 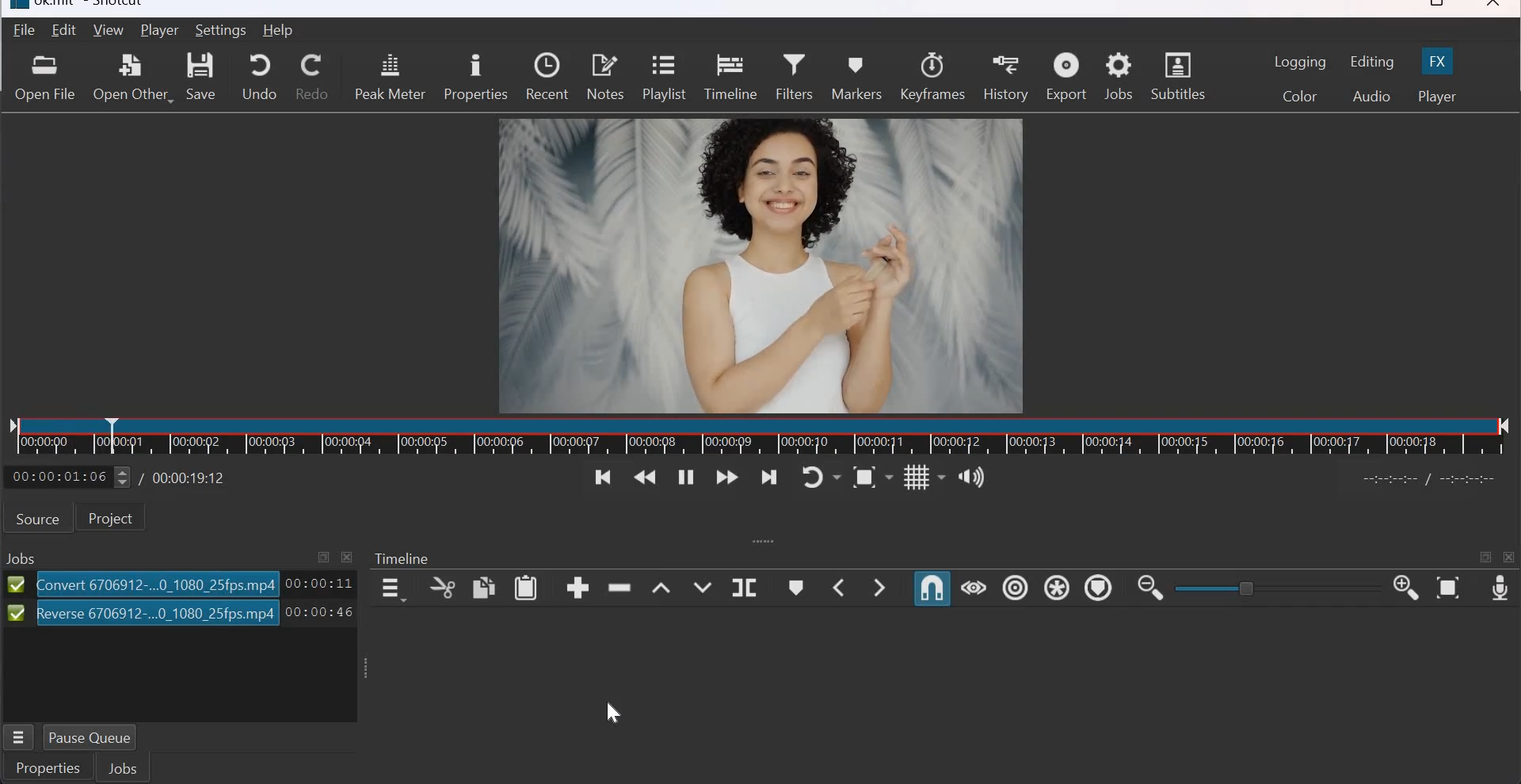 I want to click on close, so click(x=1494, y=6).